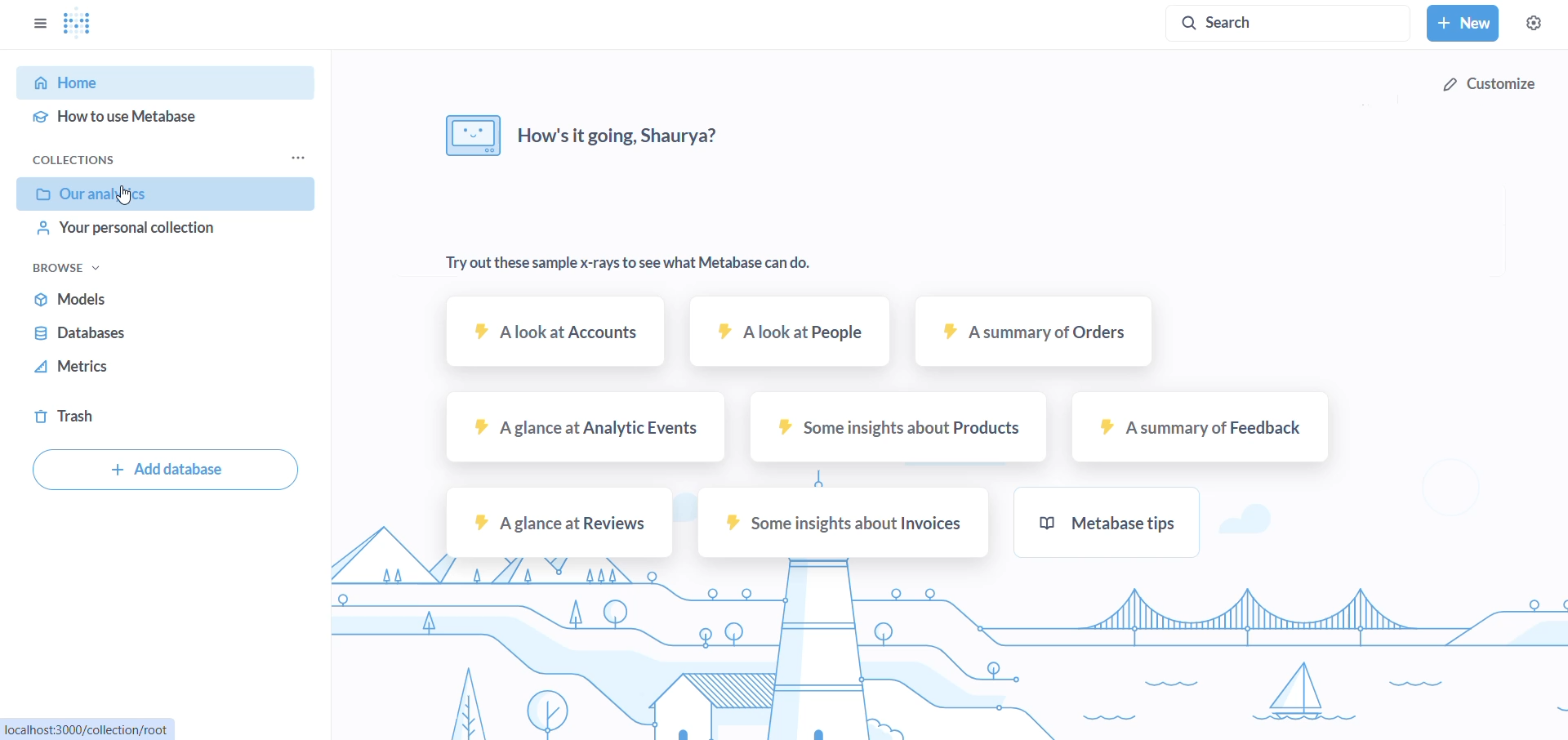 The height and width of the screenshot is (740, 1568). I want to click on collection options, so click(296, 158).